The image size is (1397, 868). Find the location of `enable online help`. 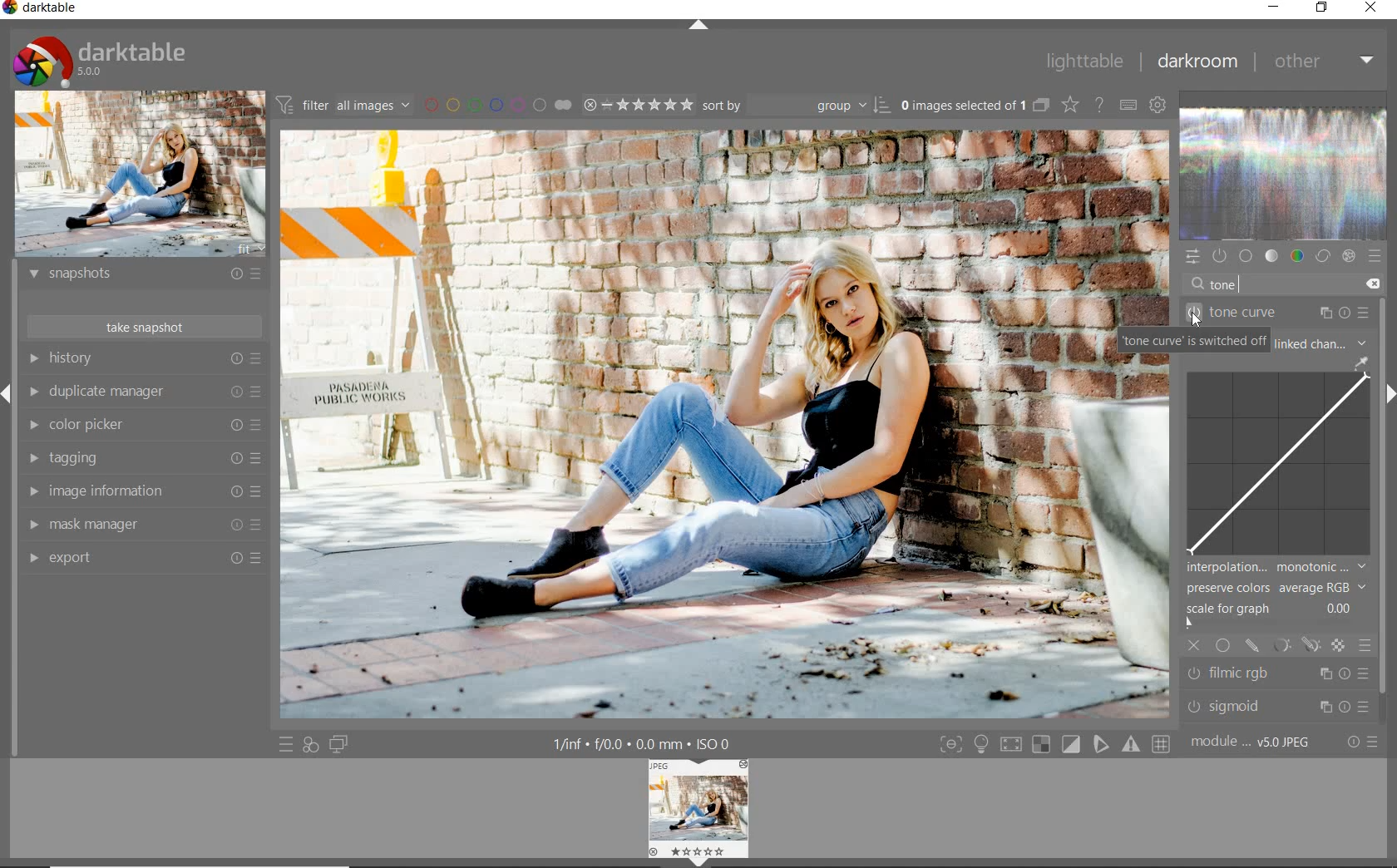

enable online help is located at coordinates (1100, 106).